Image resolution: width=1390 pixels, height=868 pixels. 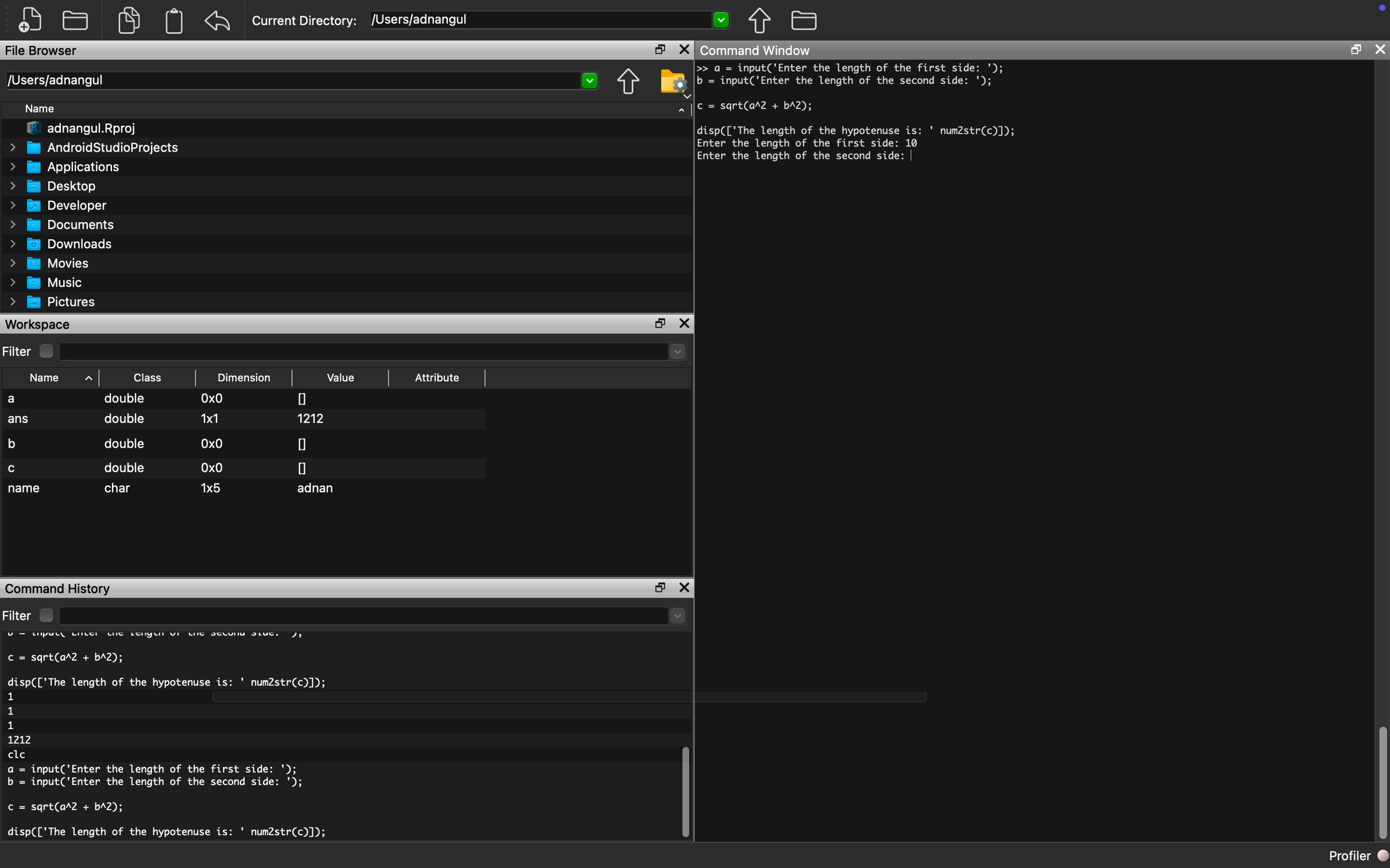 What do you see at coordinates (682, 108) in the screenshot?
I see `dropdown` at bounding box center [682, 108].